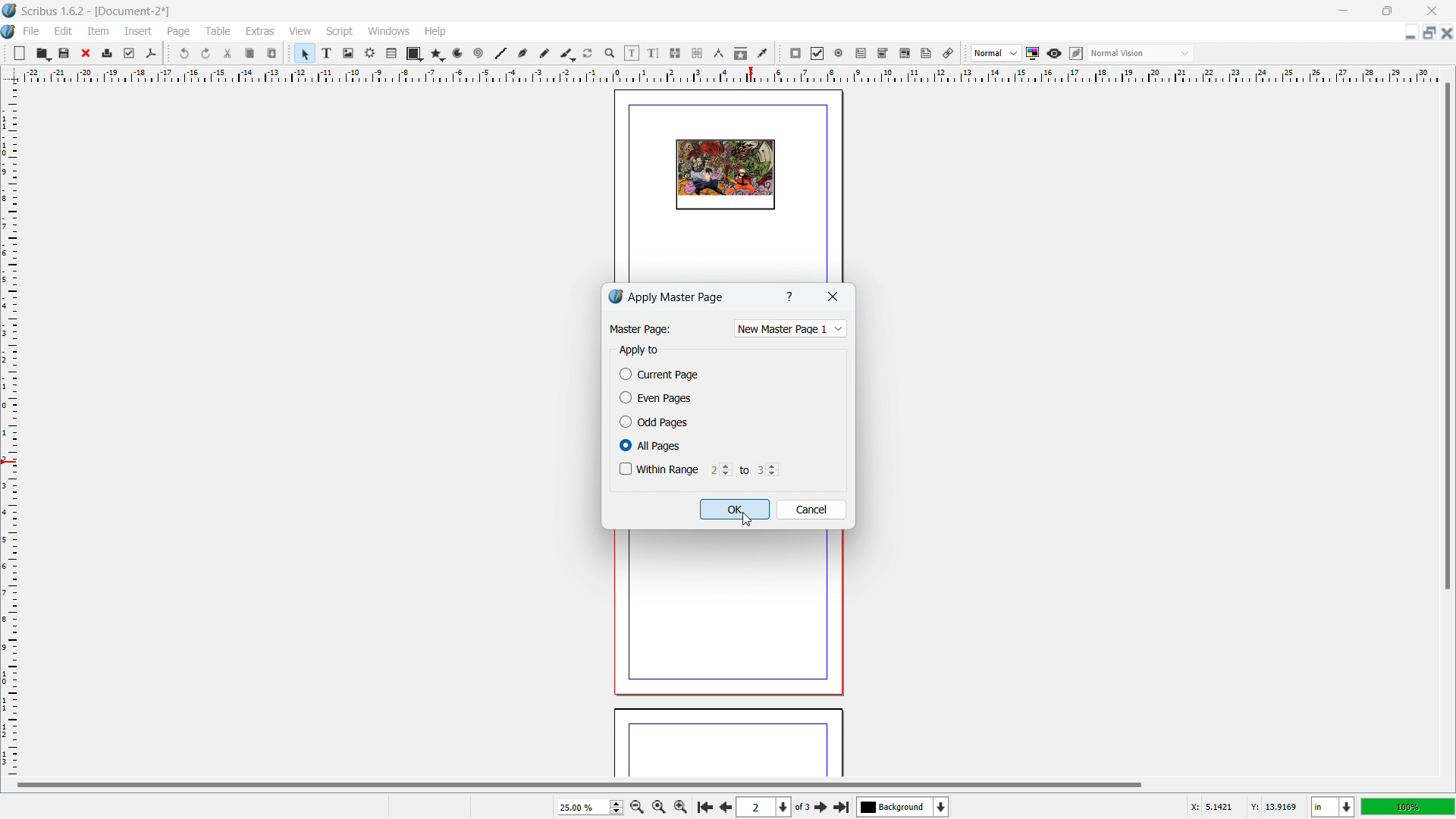 Image resolution: width=1456 pixels, height=819 pixels. Describe the element at coordinates (300, 32) in the screenshot. I see `view` at that location.